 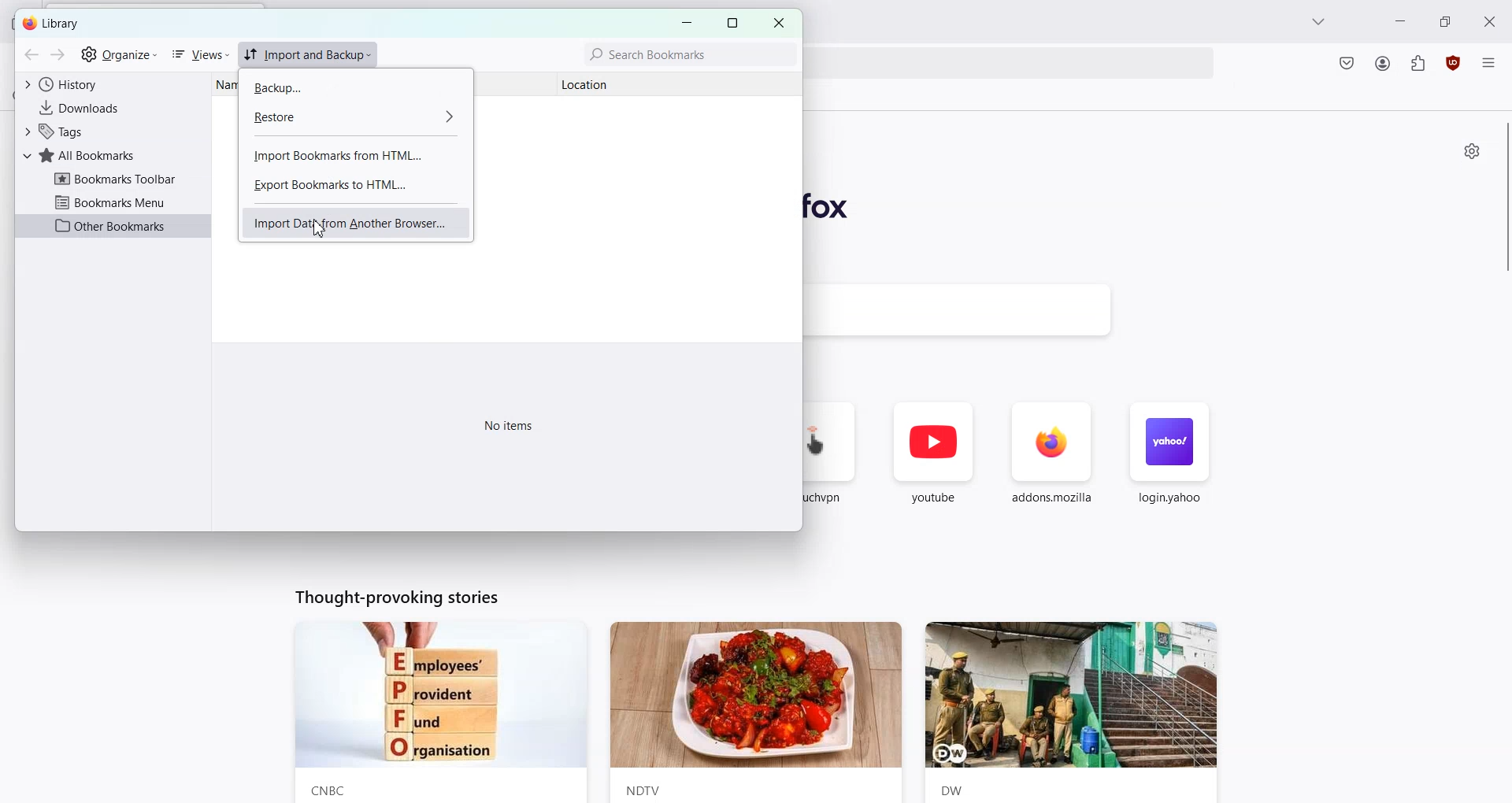 I want to click on Import Bookmarks from HTML, so click(x=353, y=156).